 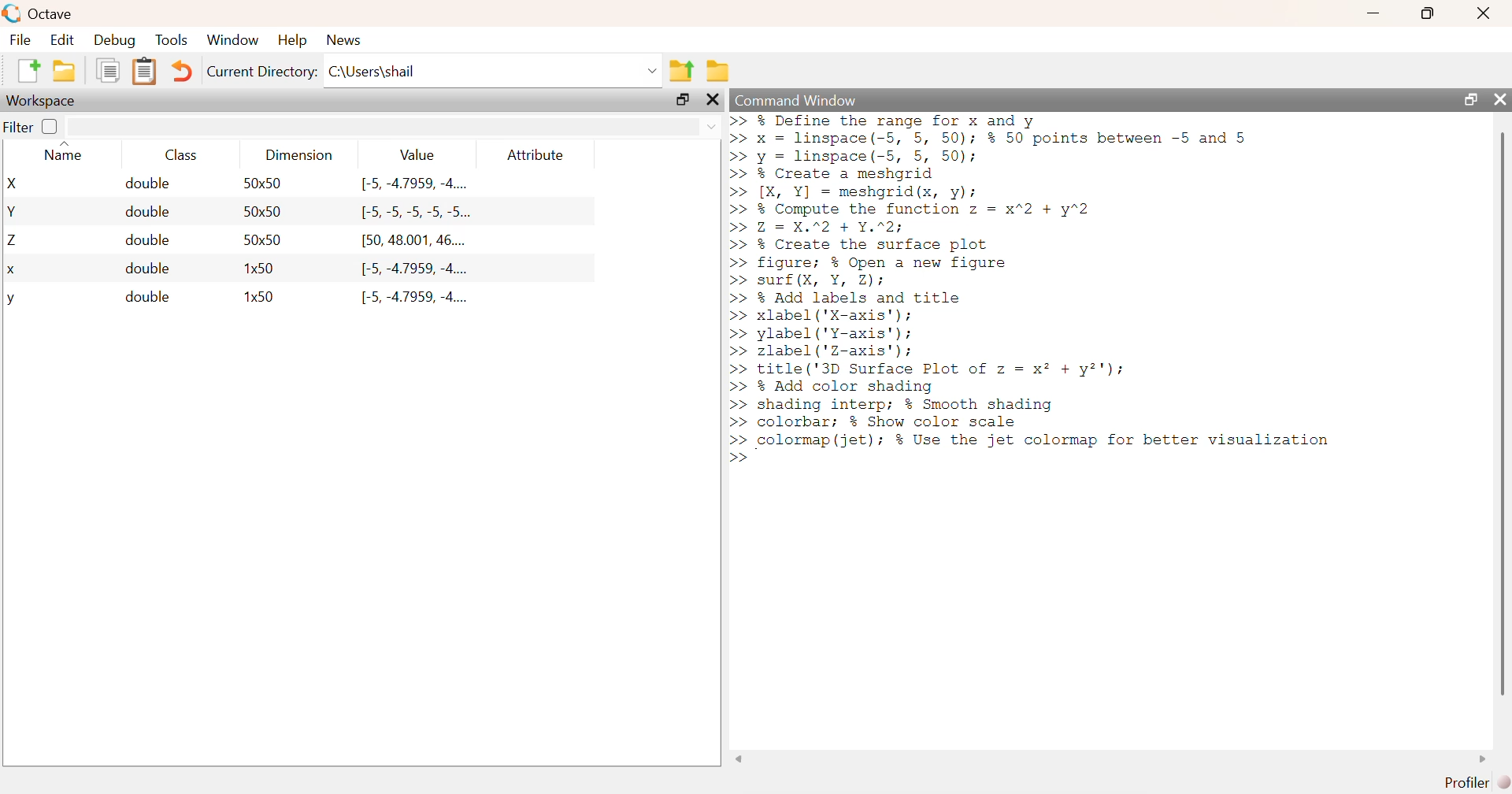 I want to click on Window, so click(x=232, y=39).